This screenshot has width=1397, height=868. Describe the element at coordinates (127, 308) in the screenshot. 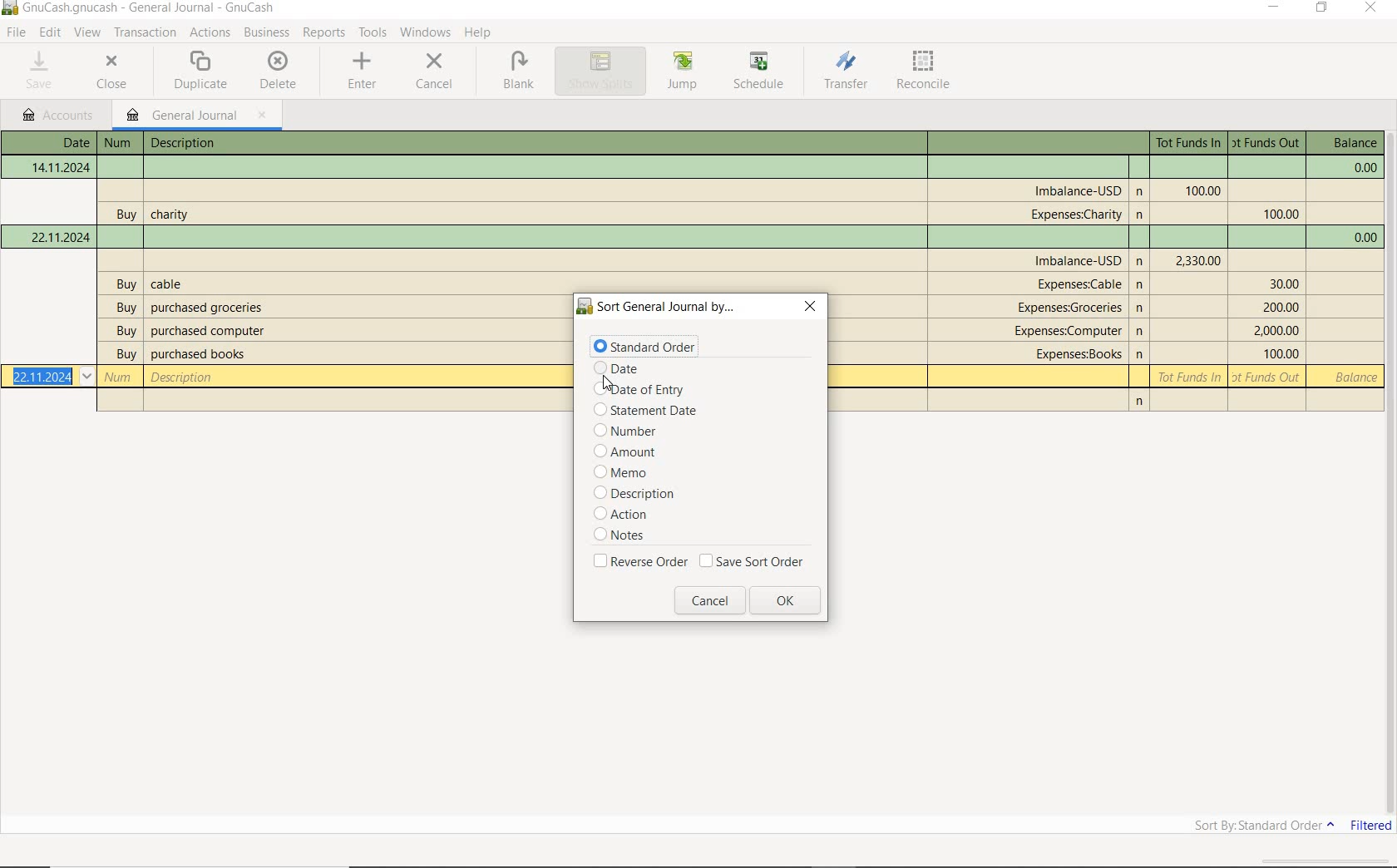

I see `buy` at that location.